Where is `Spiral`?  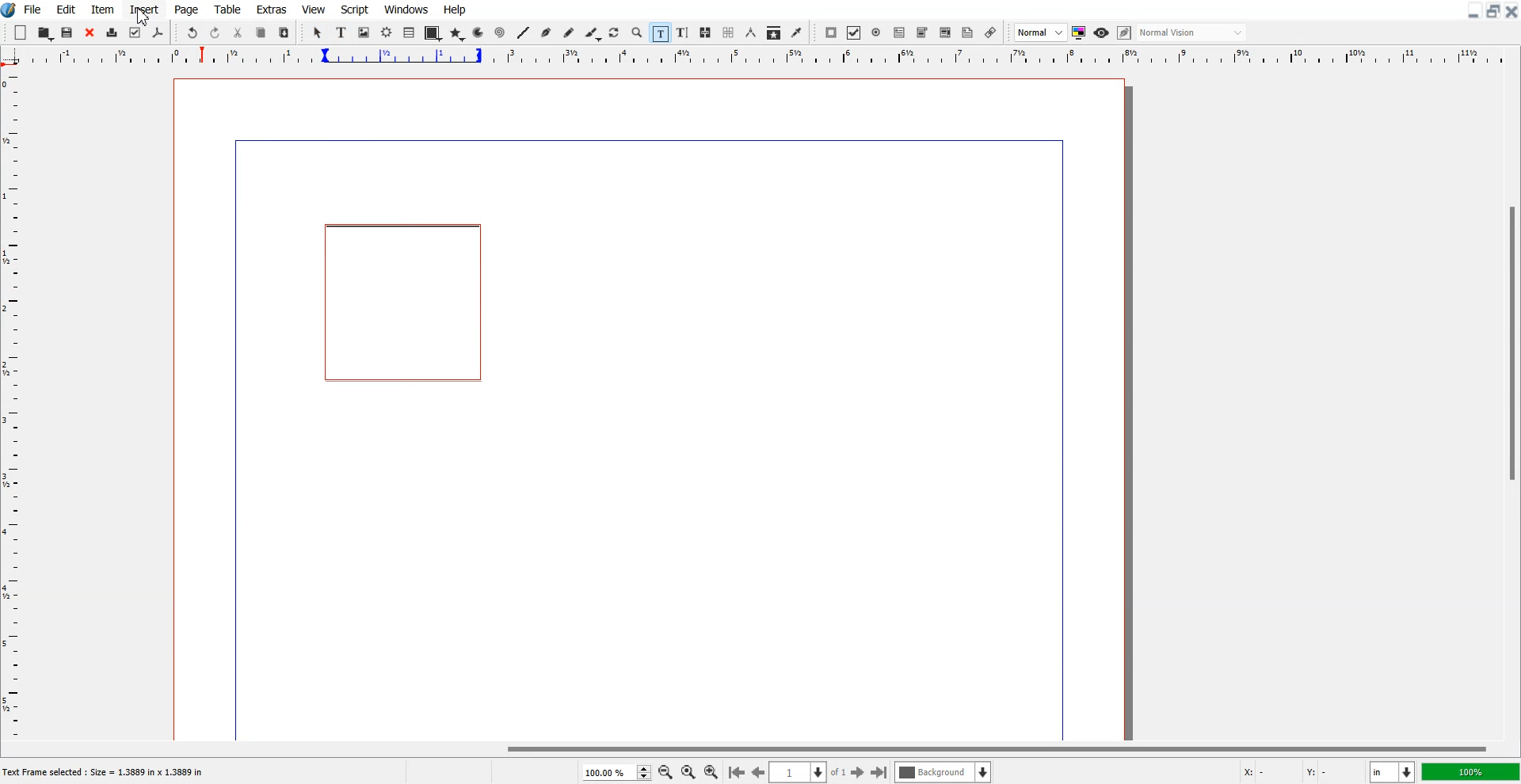
Spiral is located at coordinates (499, 33).